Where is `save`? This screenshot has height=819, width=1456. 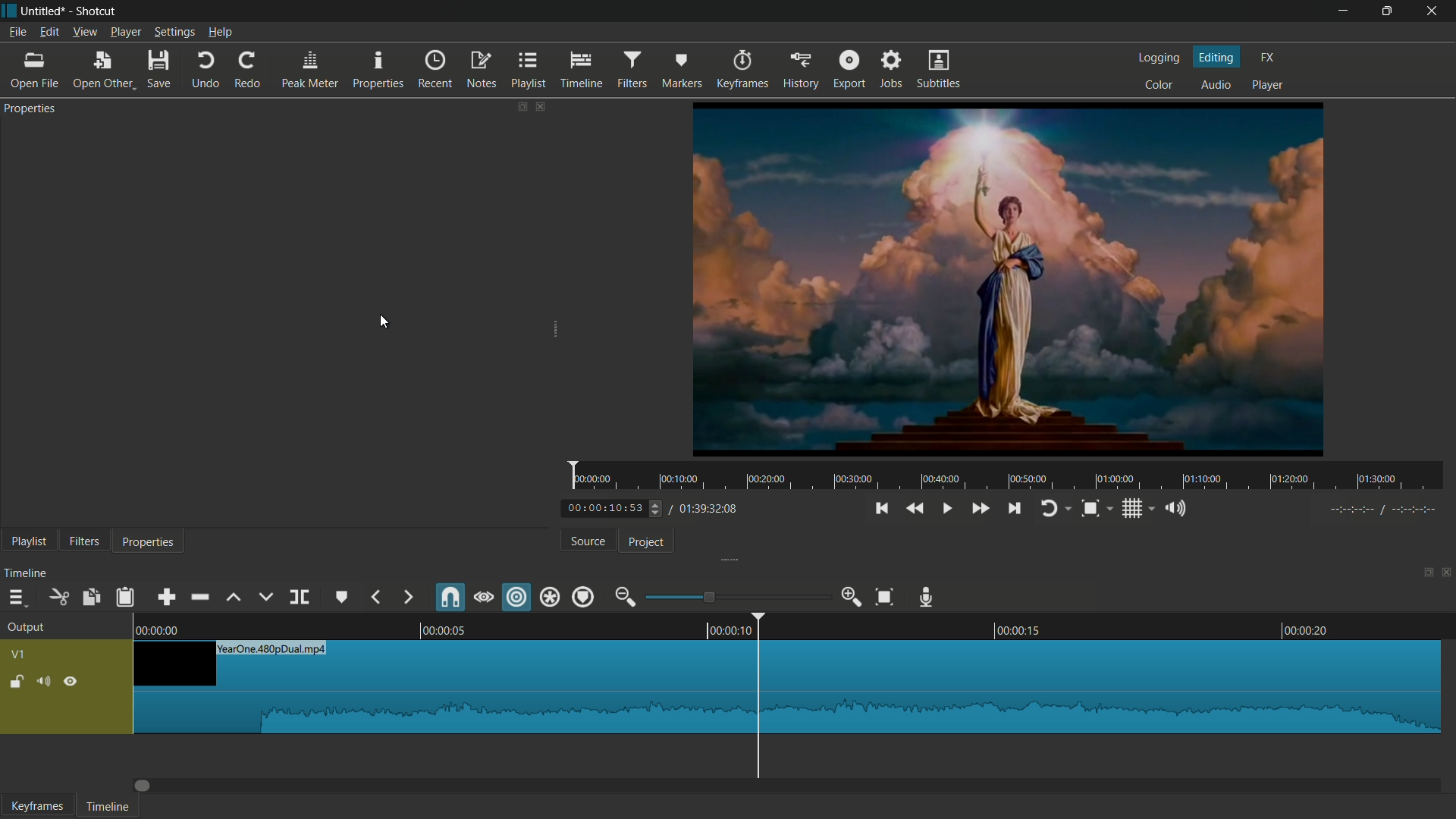
save is located at coordinates (158, 69).